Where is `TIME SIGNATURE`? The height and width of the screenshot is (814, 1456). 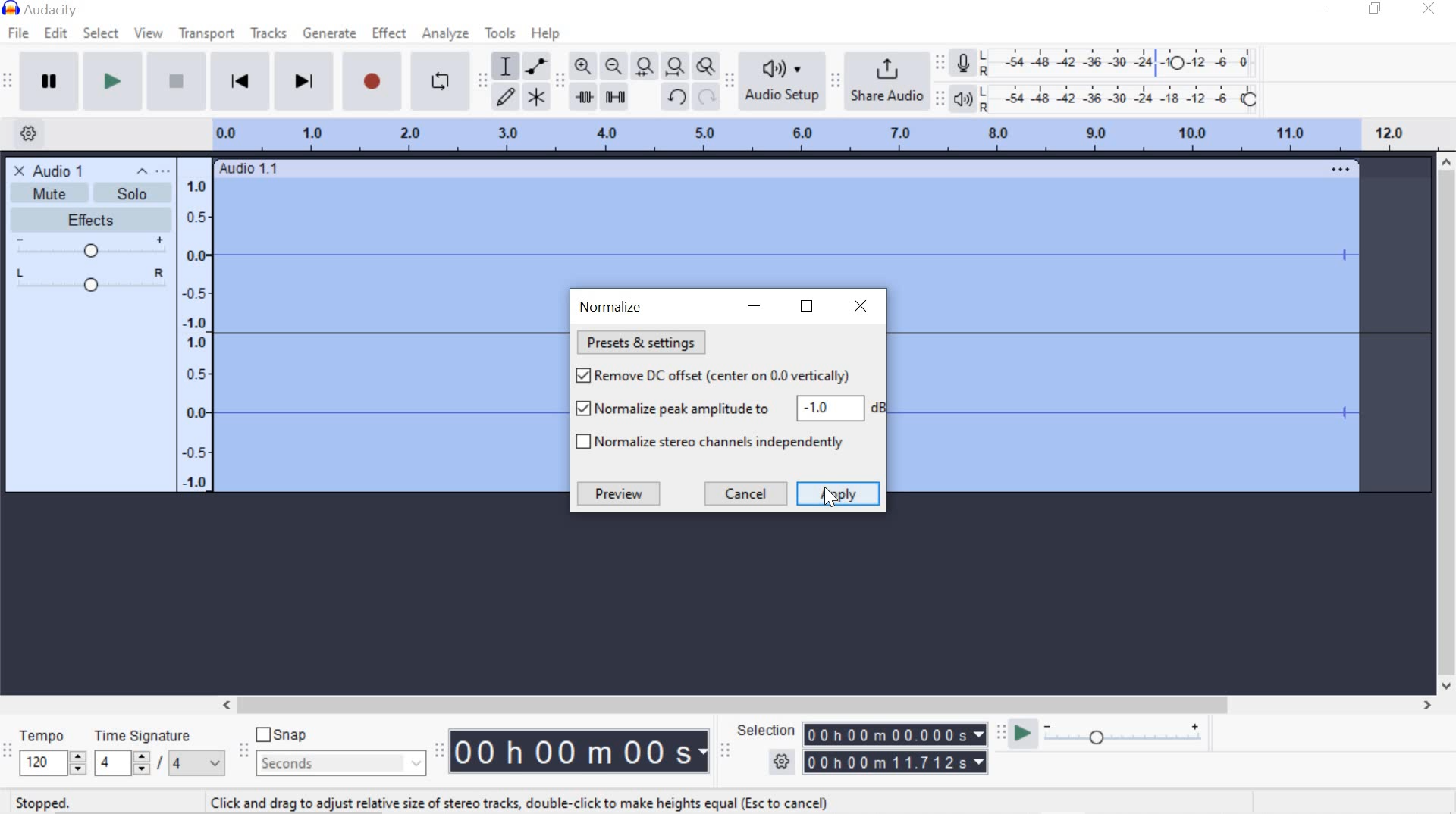
TIME SIGNATURE is located at coordinates (158, 753).